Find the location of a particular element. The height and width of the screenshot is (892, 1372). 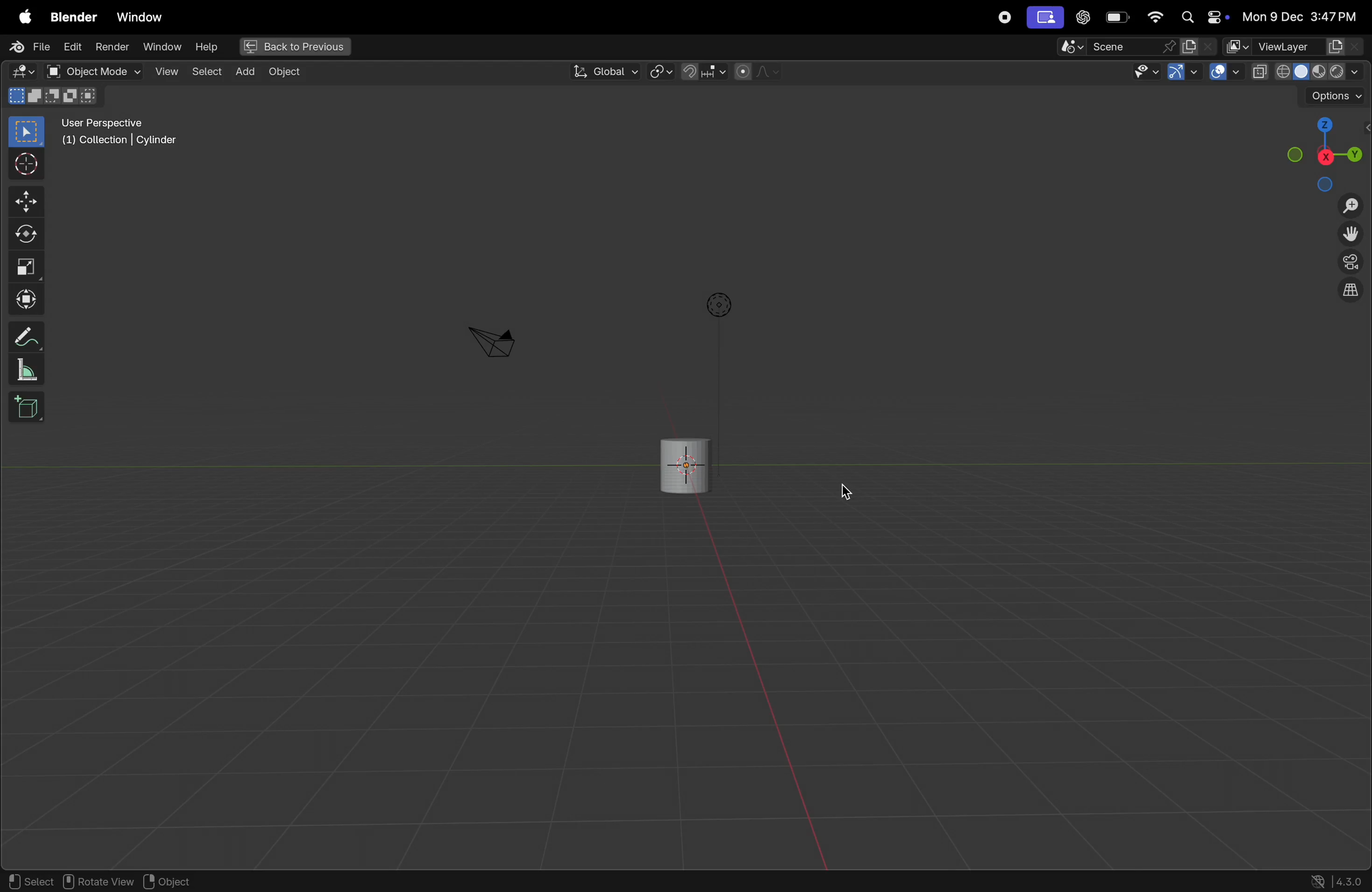

active workspace is located at coordinates (1200, 46).